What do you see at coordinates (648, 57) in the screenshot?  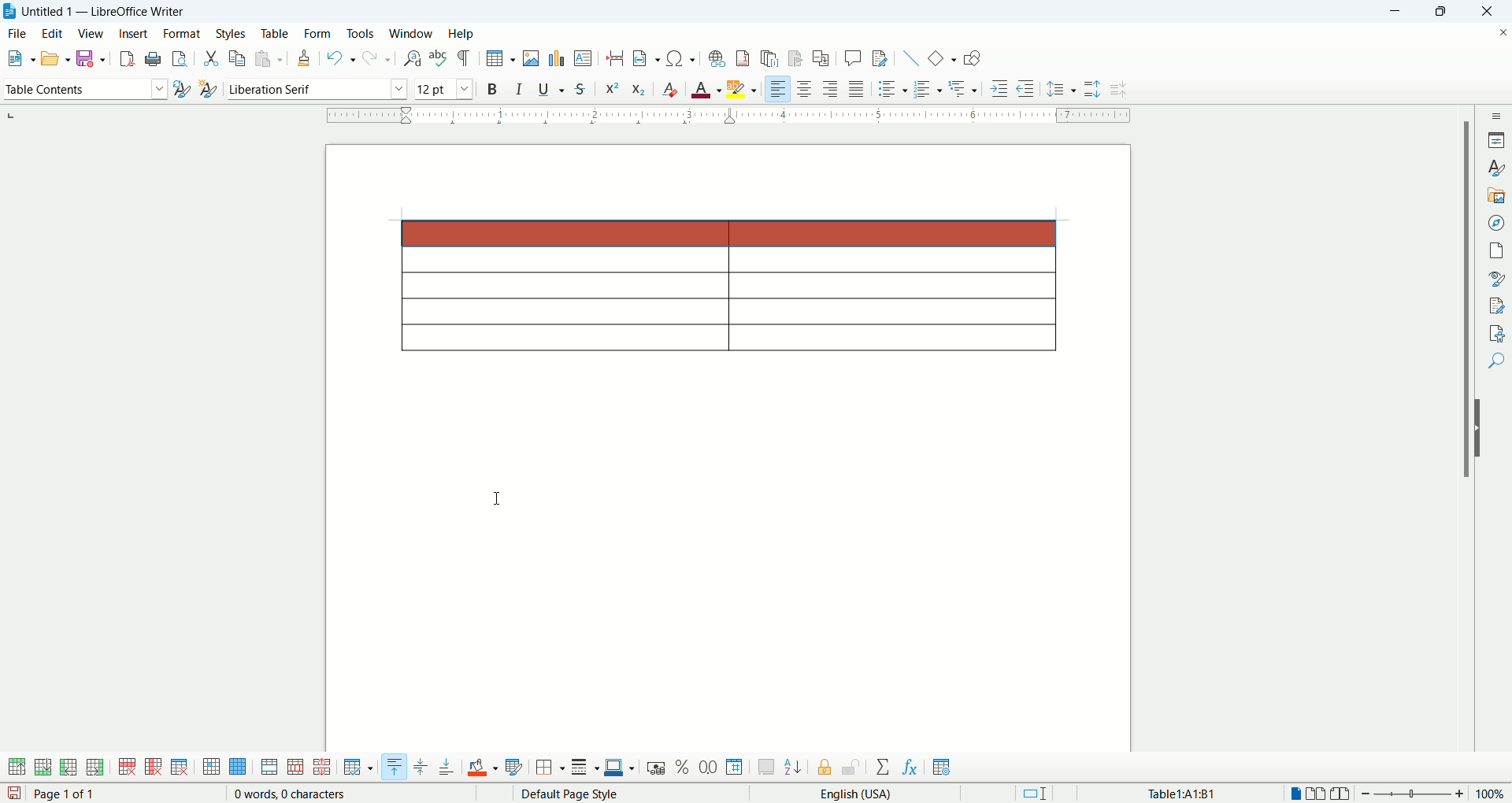 I see `insert field` at bounding box center [648, 57].